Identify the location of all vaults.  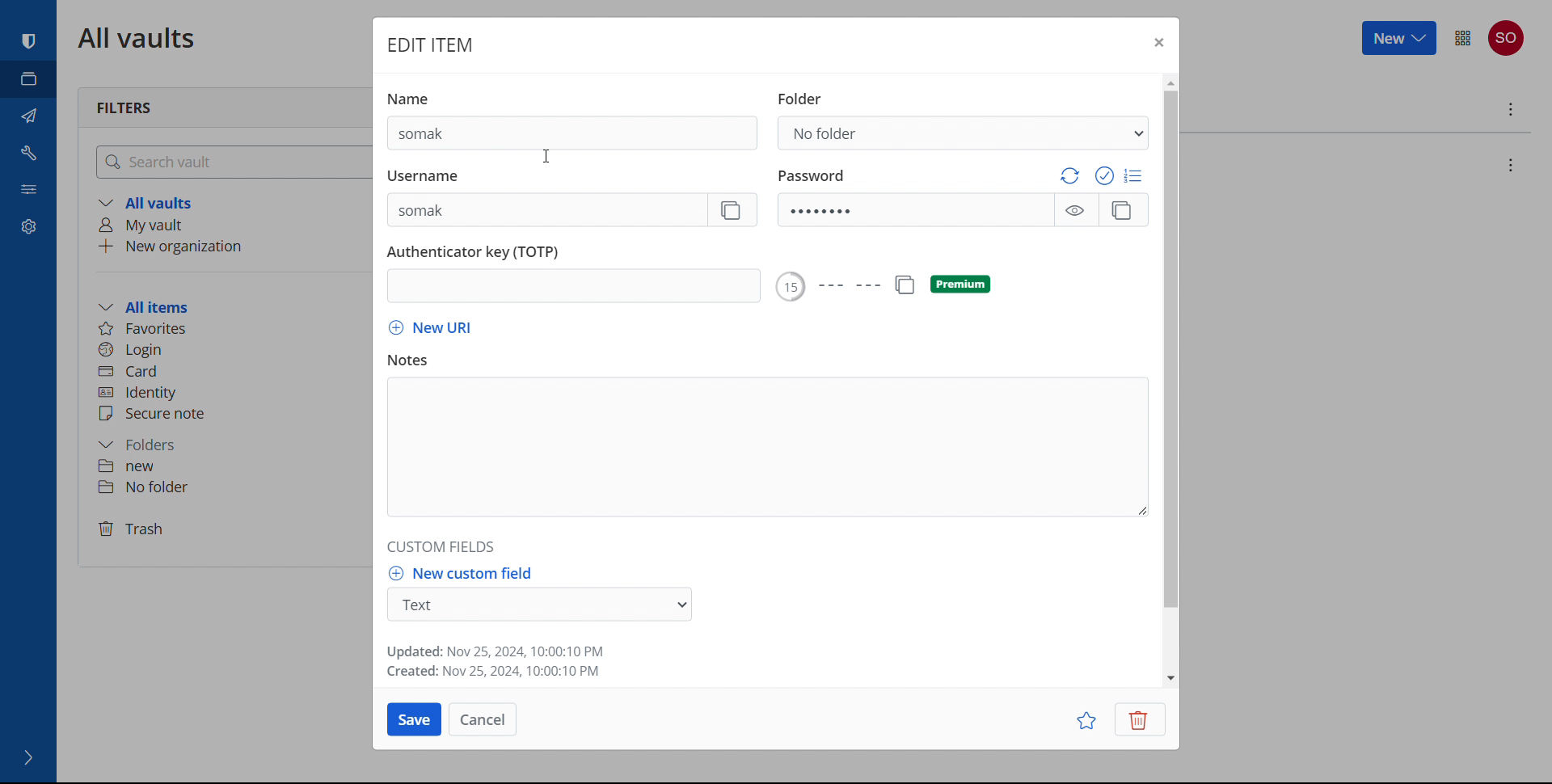
(234, 204).